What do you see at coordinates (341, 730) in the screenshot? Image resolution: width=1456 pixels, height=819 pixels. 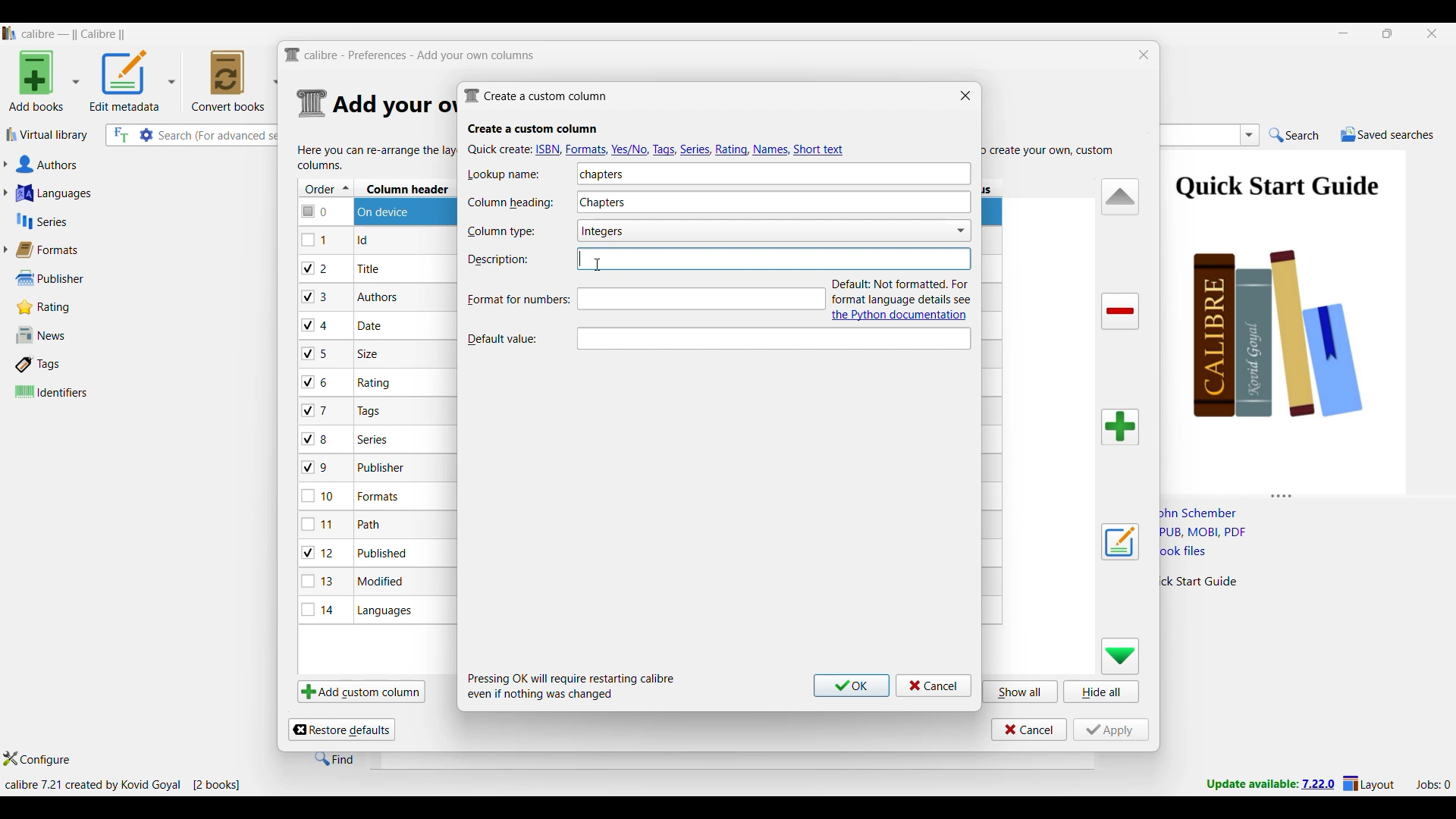 I see `Restore defaults` at bounding box center [341, 730].